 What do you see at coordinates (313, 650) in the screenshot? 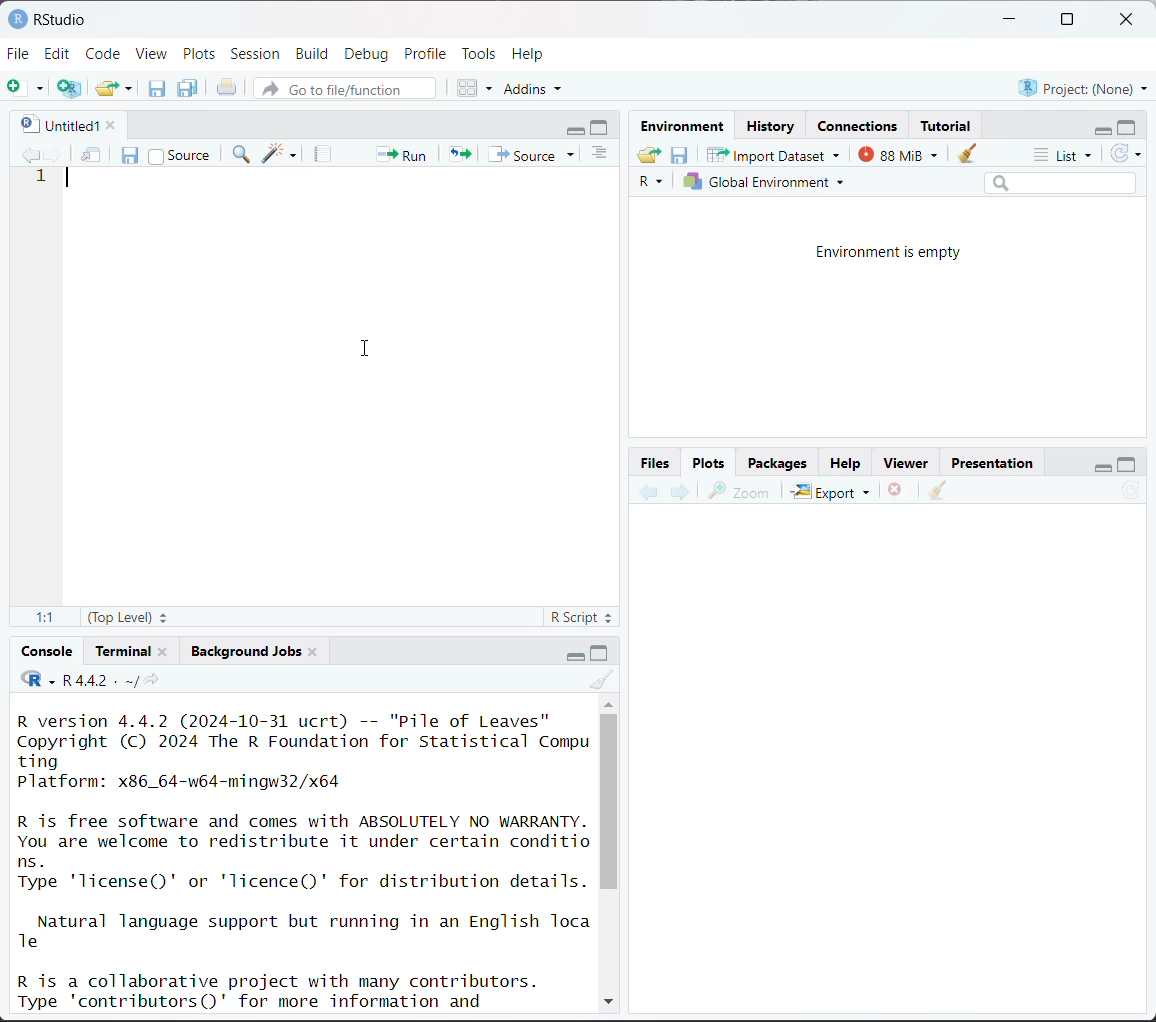
I see `close` at bounding box center [313, 650].